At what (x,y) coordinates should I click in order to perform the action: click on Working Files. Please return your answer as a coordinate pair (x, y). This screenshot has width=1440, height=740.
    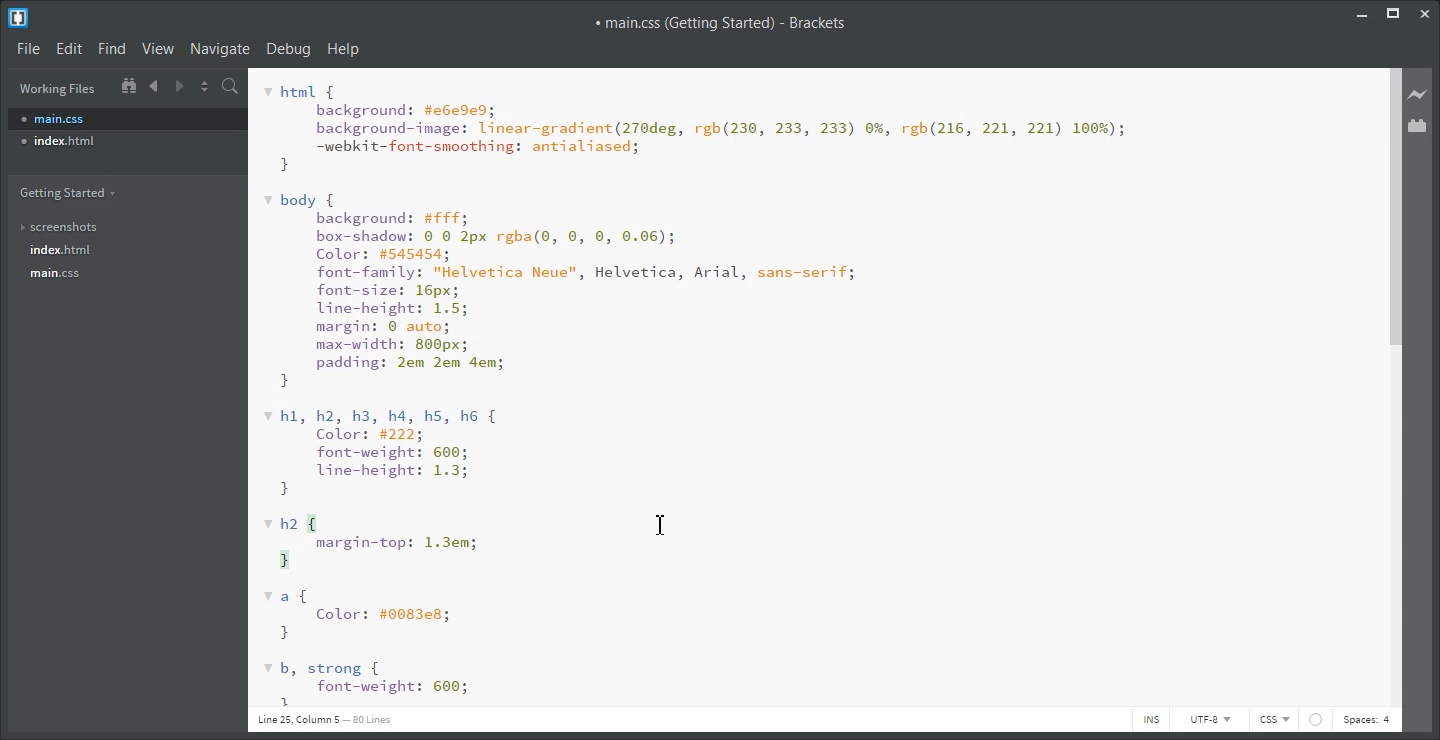
    Looking at the image, I should click on (58, 89).